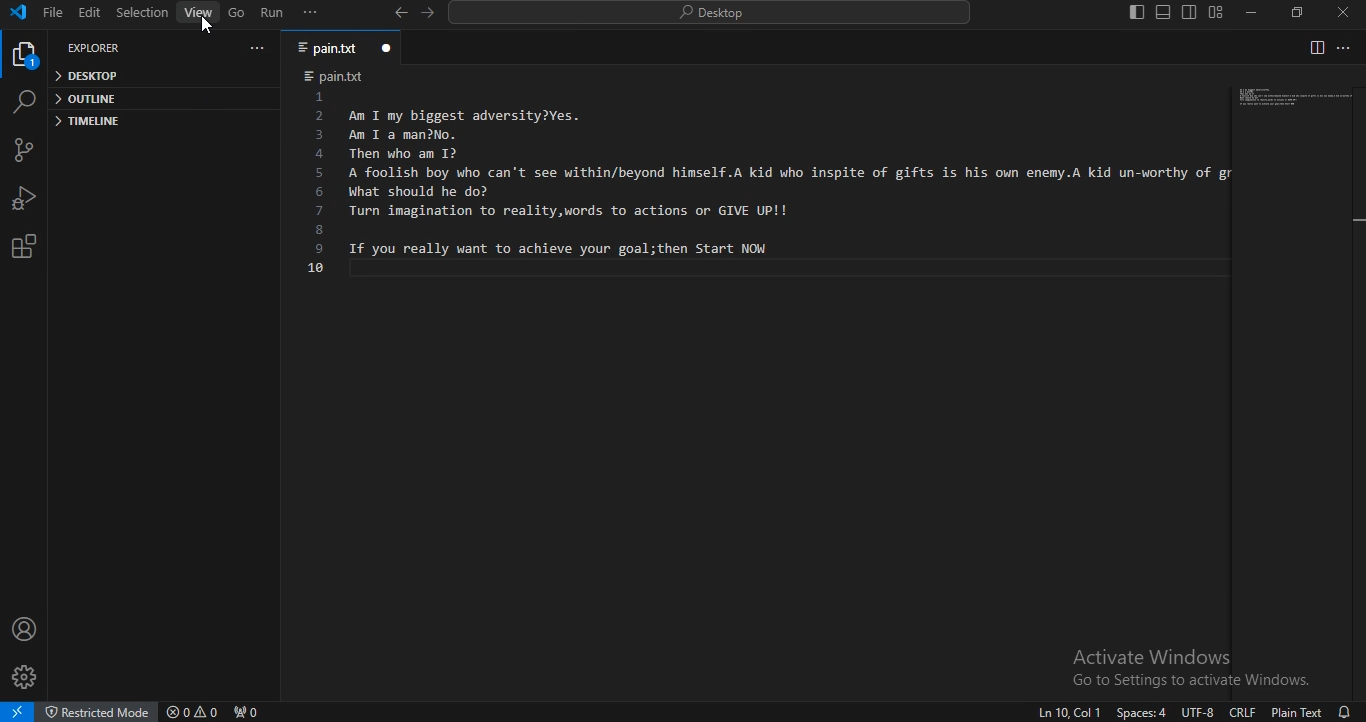  Describe the element at coordinates (53, 13) in the screenshot. I see `file` at that location.